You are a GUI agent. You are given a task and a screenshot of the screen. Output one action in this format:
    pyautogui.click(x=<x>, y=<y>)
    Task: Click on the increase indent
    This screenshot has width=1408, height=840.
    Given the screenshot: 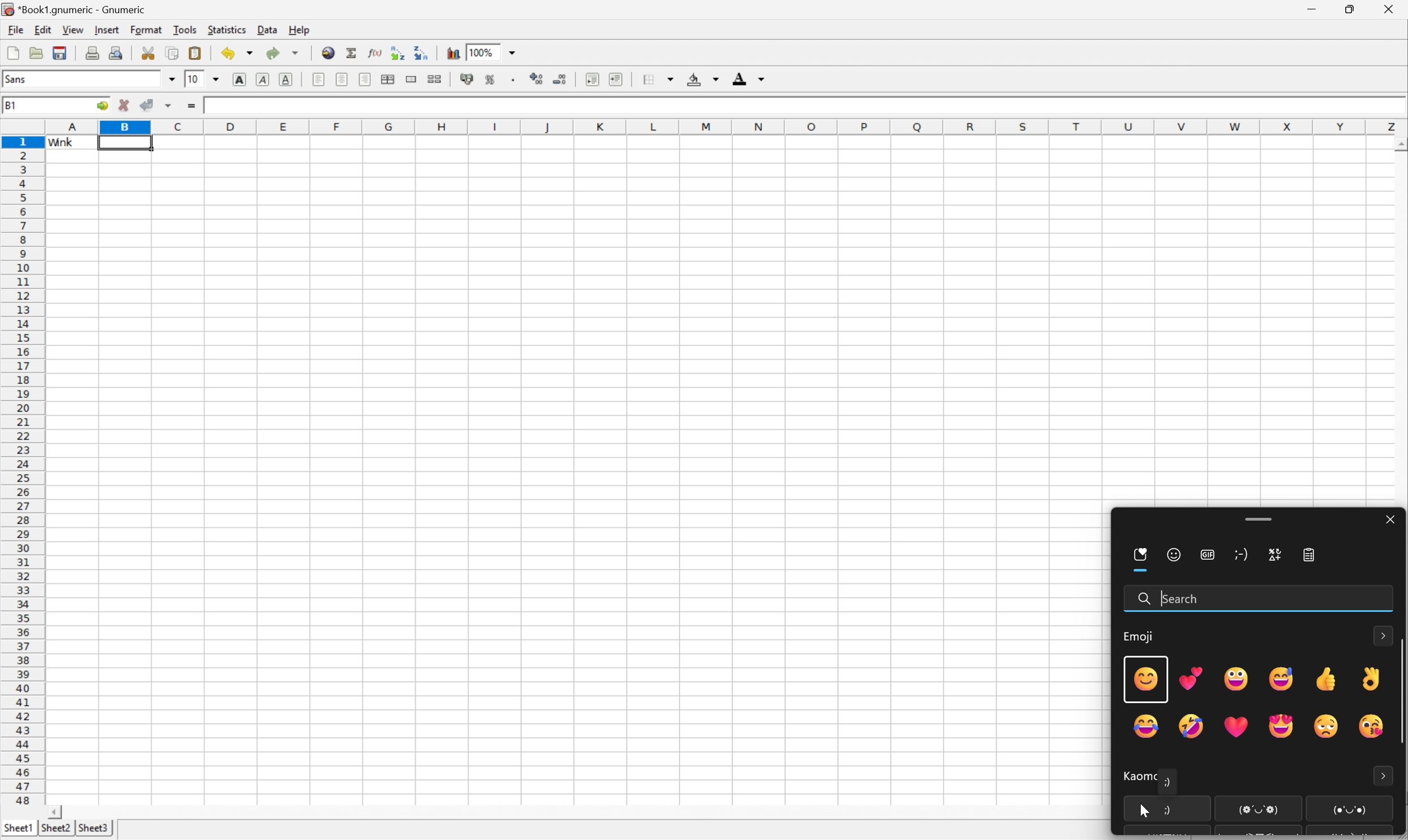 What is the action you would take?
    pyautogui.click(x=617, y=78)
    